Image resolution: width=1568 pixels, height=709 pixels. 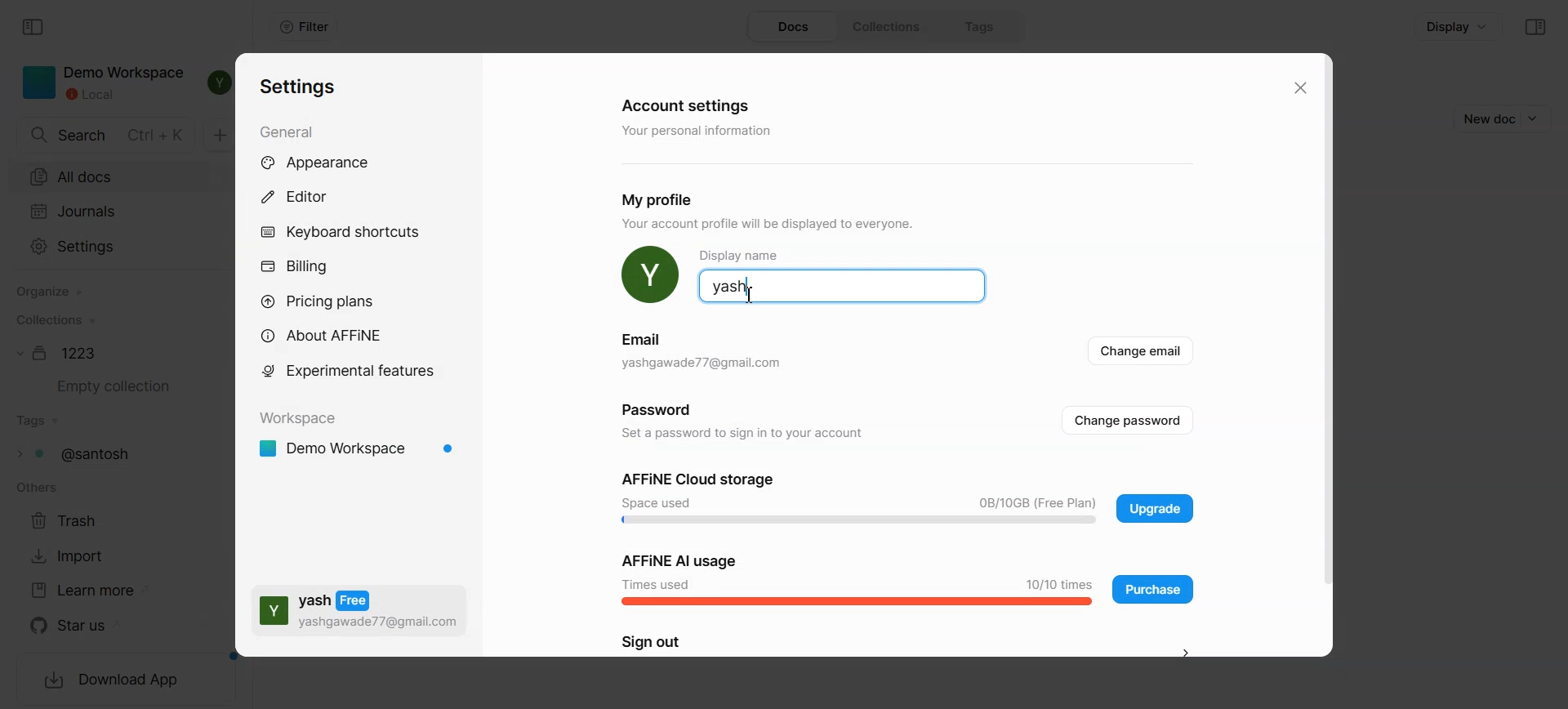 I want to click on Demo workspace, so click(x=359, y=450).